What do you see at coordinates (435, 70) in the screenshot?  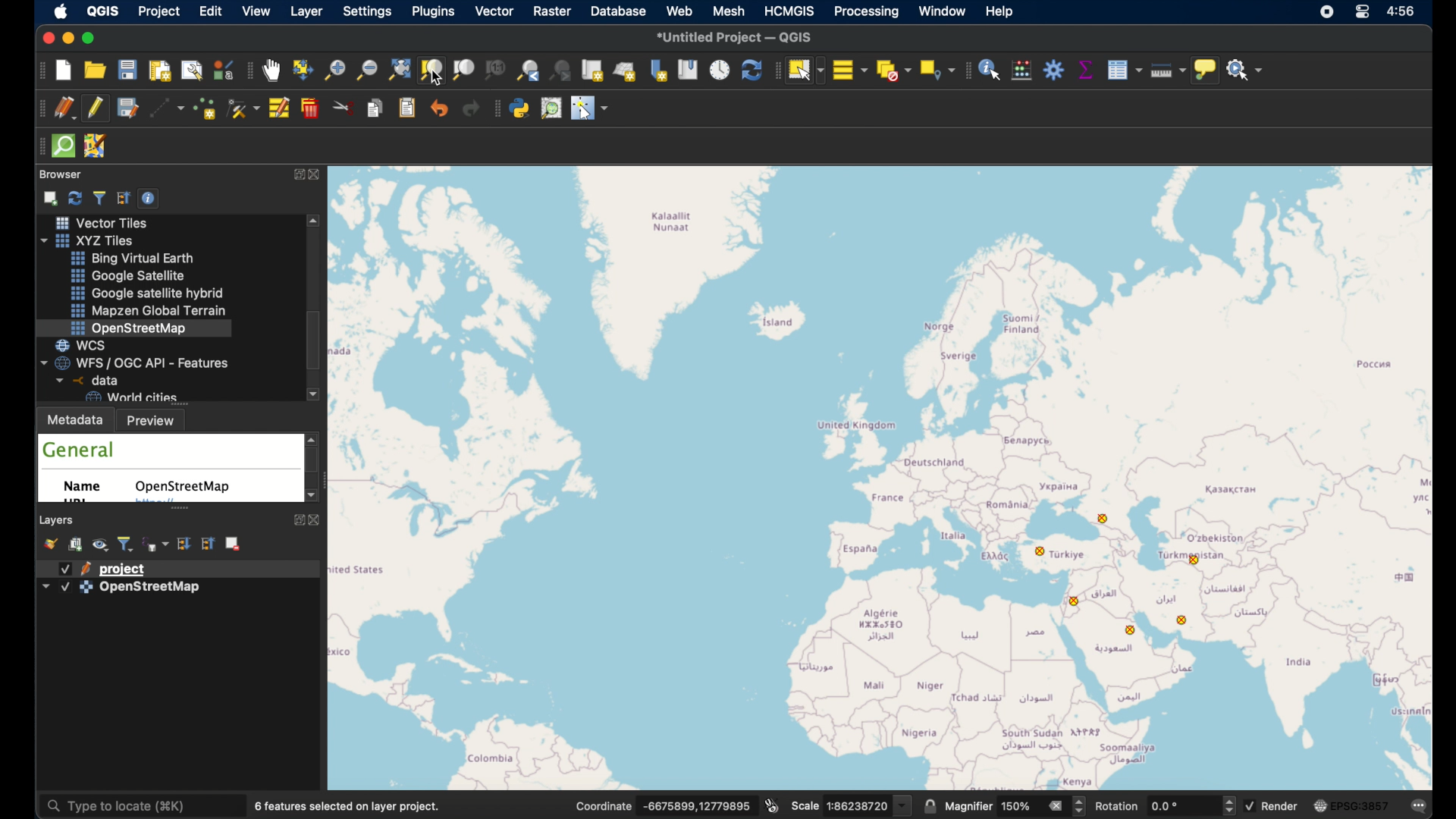 I see `zoom to selection` at bounding box center [435, 70].